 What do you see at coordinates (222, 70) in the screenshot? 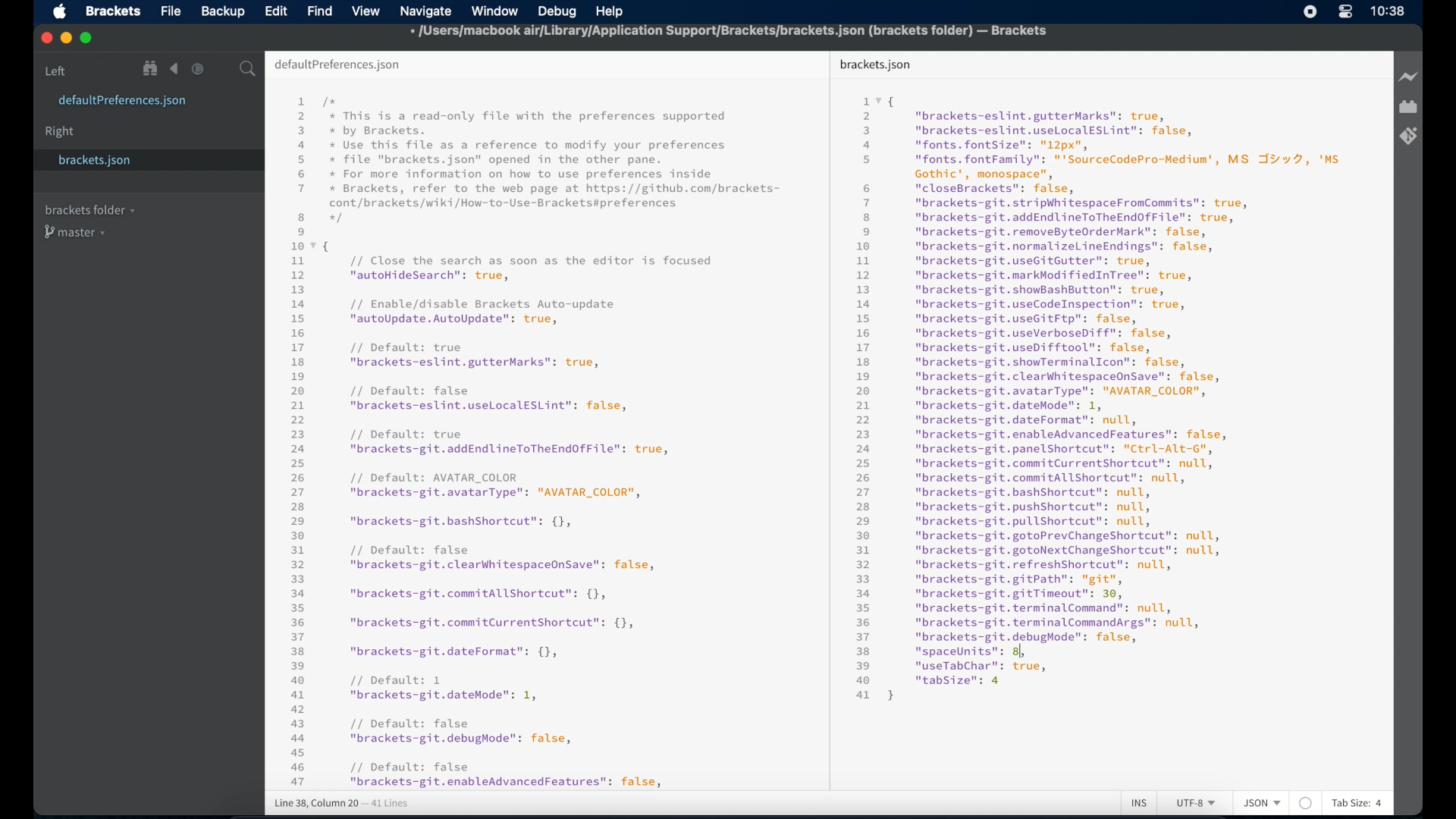
I see `split the editor vertical or horizontal` at bounding box center [222, 70].